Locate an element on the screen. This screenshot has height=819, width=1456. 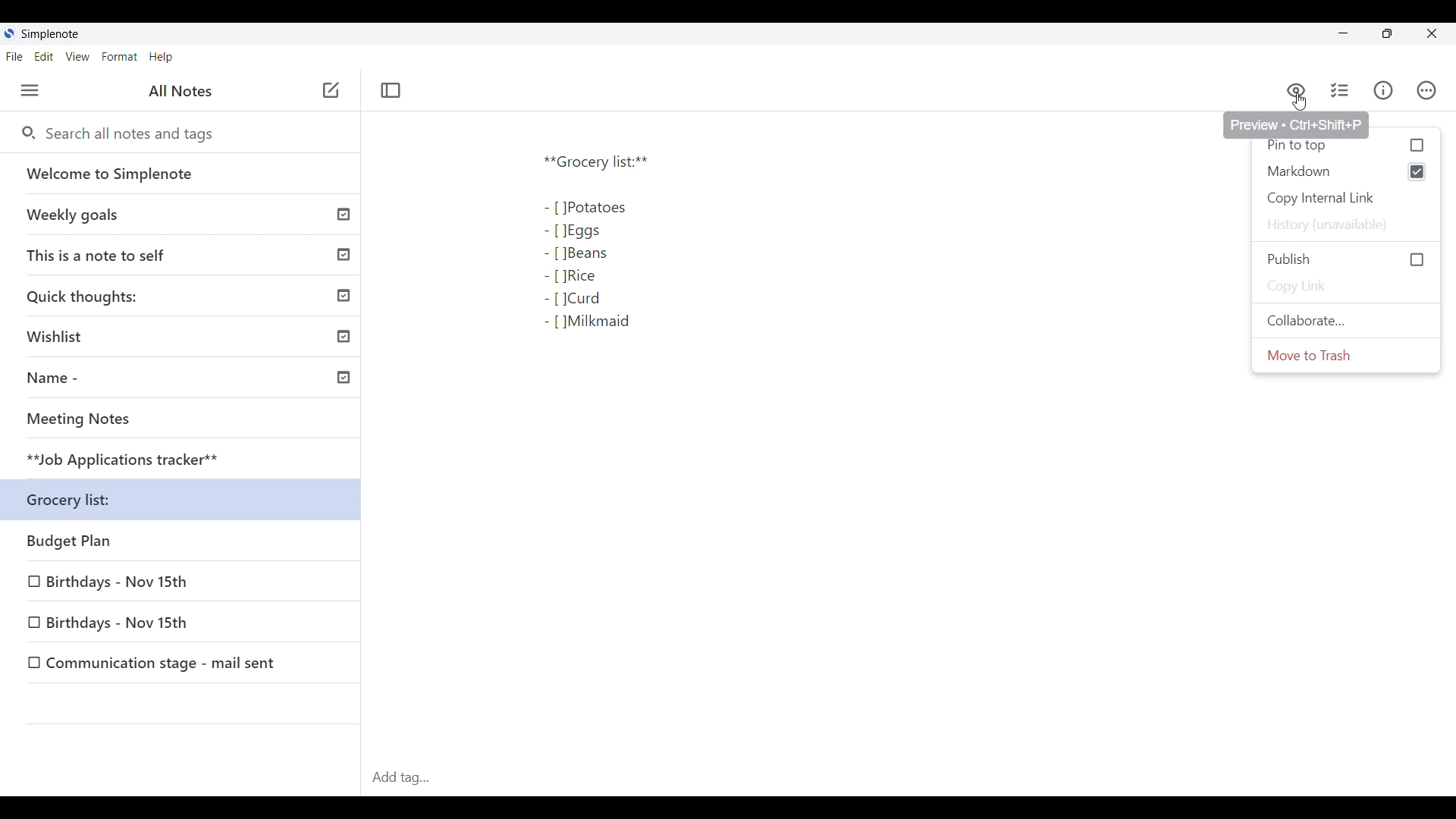
Wishlist is located at coordinates (186, 339).